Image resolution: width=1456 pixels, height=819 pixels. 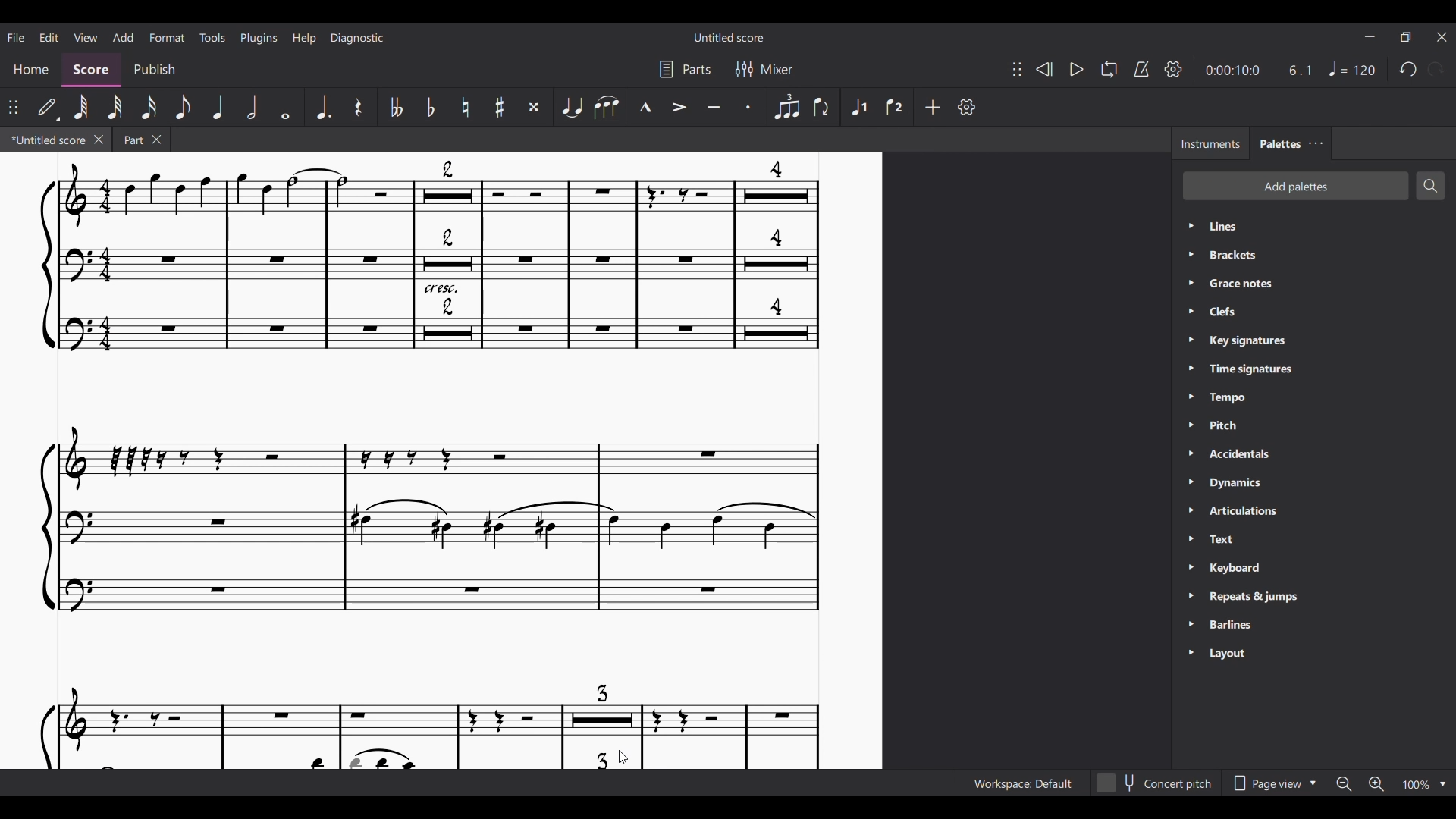 What do you see at coordinates (685, 69) in the screenshot?
I see `Parts settings` at bounding box center [685, 69].